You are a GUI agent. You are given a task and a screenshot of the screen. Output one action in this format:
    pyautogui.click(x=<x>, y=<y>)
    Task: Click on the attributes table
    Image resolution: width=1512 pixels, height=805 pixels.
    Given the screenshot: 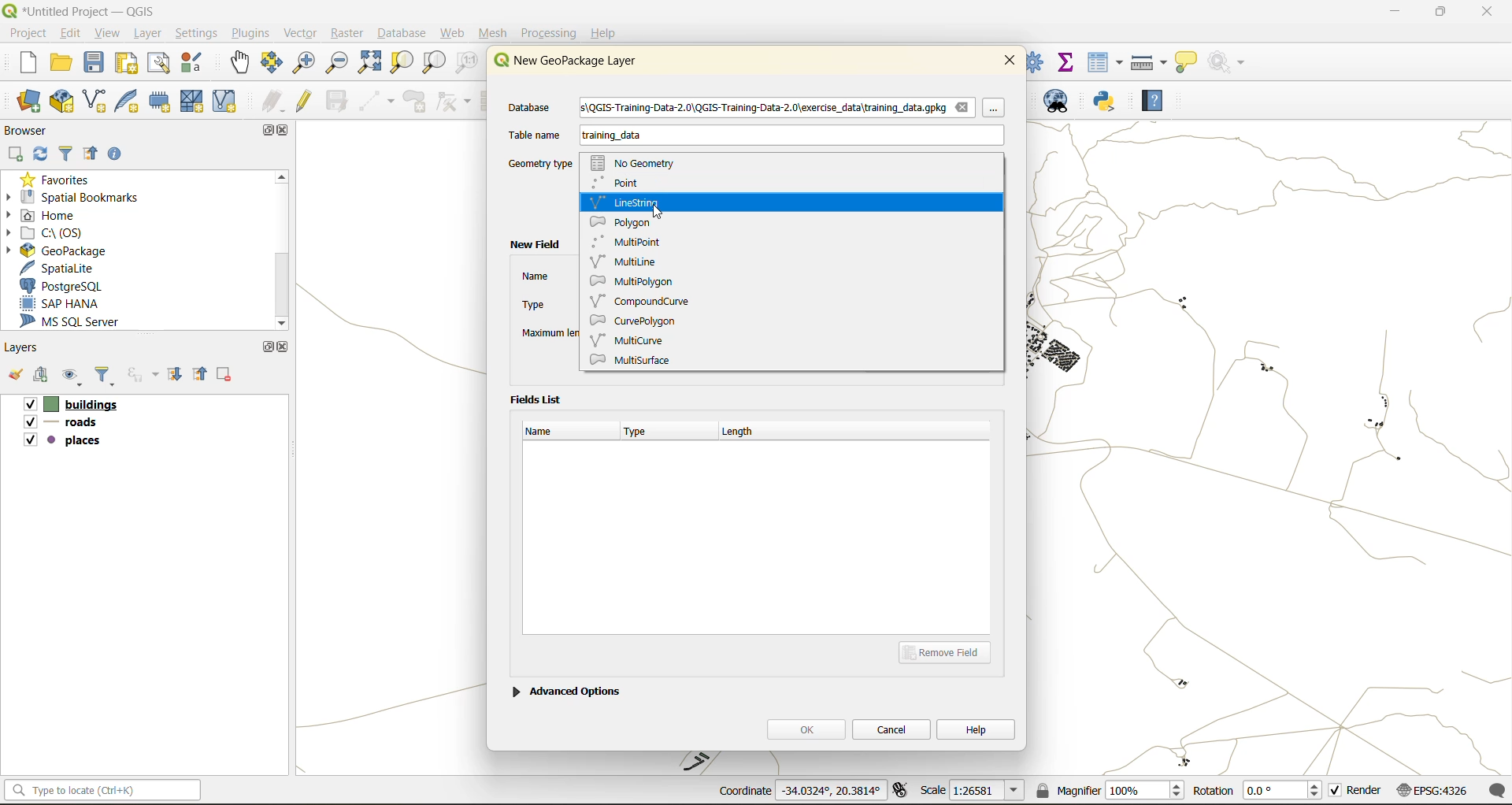 What is the action you would take?
    pyautogui.click(x=1106, y=62)
    